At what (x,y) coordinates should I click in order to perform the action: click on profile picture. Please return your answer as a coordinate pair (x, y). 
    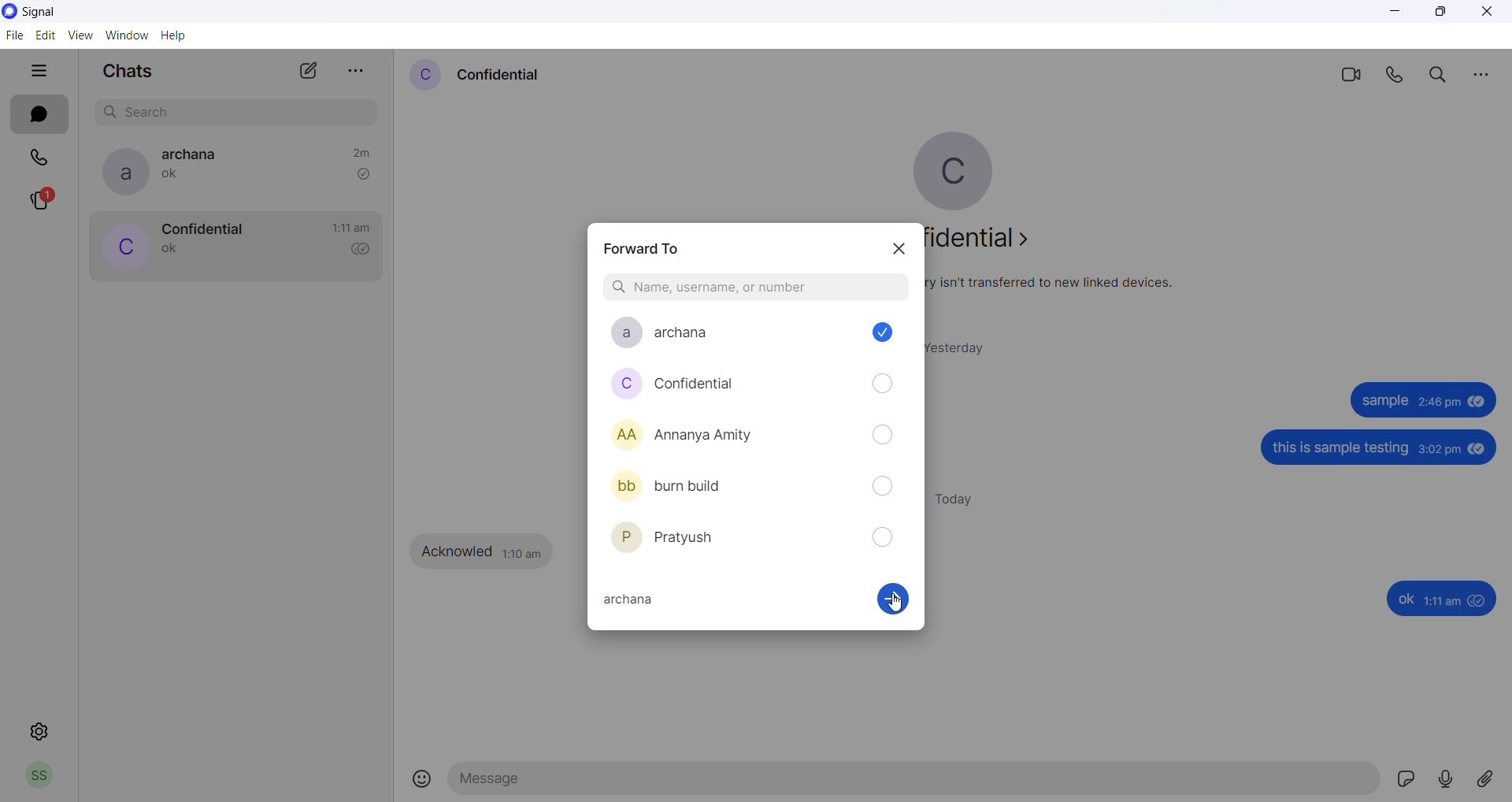
    Looking at the image, I should click on (120, 172).